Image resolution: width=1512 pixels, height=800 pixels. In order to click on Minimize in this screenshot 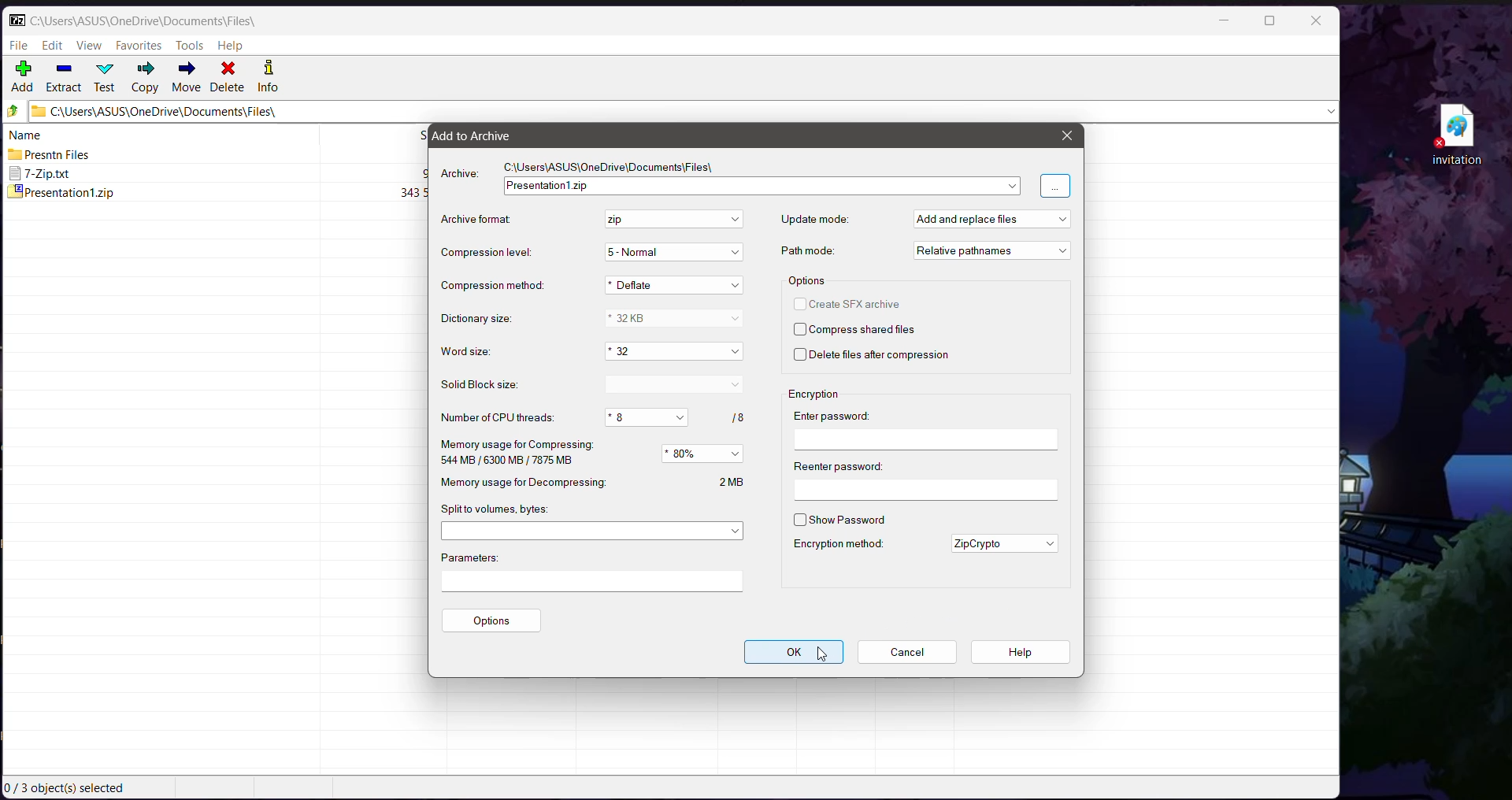, I will do `click(1226, 21)`.